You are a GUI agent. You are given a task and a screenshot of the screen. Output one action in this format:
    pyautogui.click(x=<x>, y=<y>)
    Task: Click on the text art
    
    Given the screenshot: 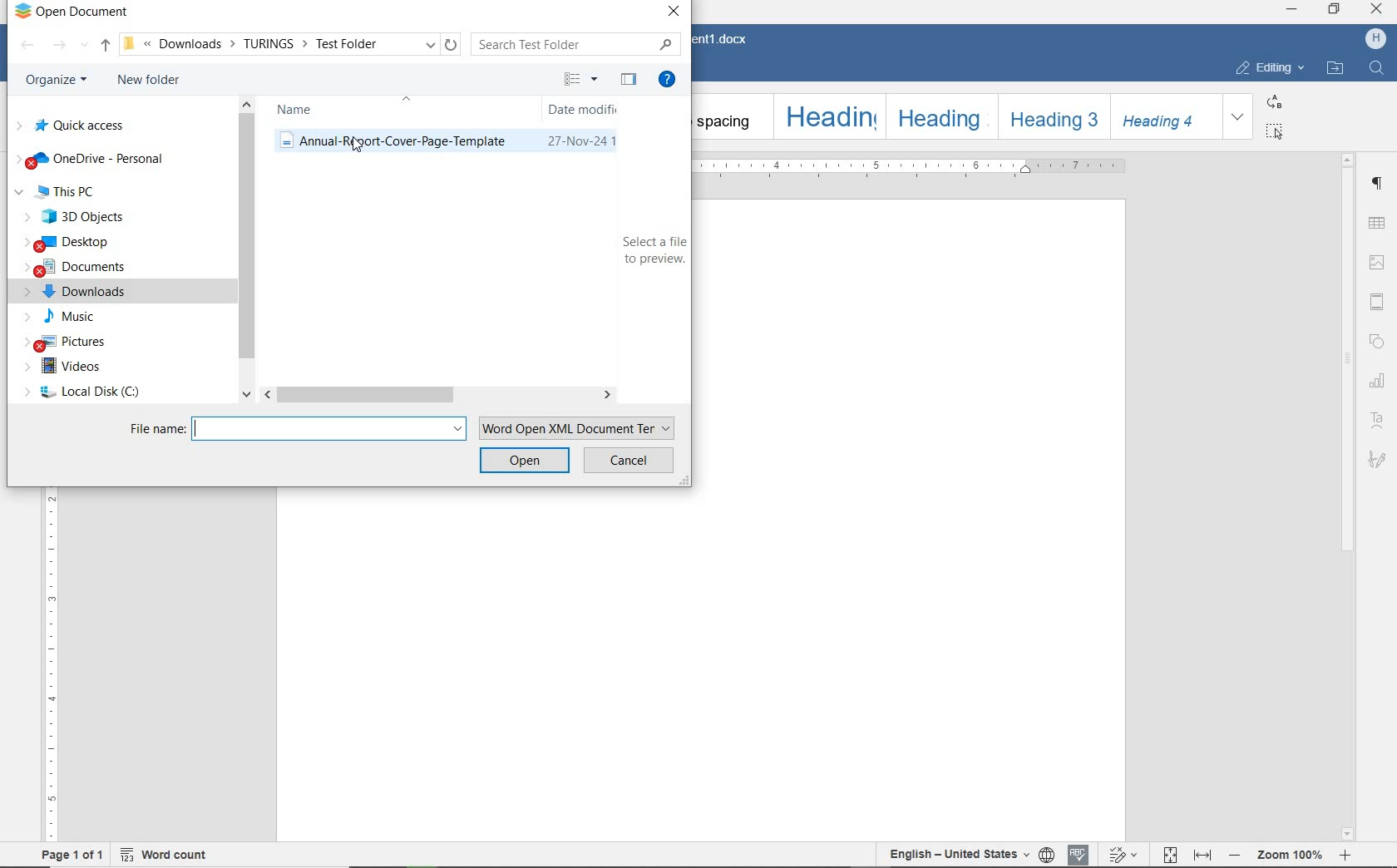 What is the action you would take?
    pyautogui.click(x=1377, y=422)
    